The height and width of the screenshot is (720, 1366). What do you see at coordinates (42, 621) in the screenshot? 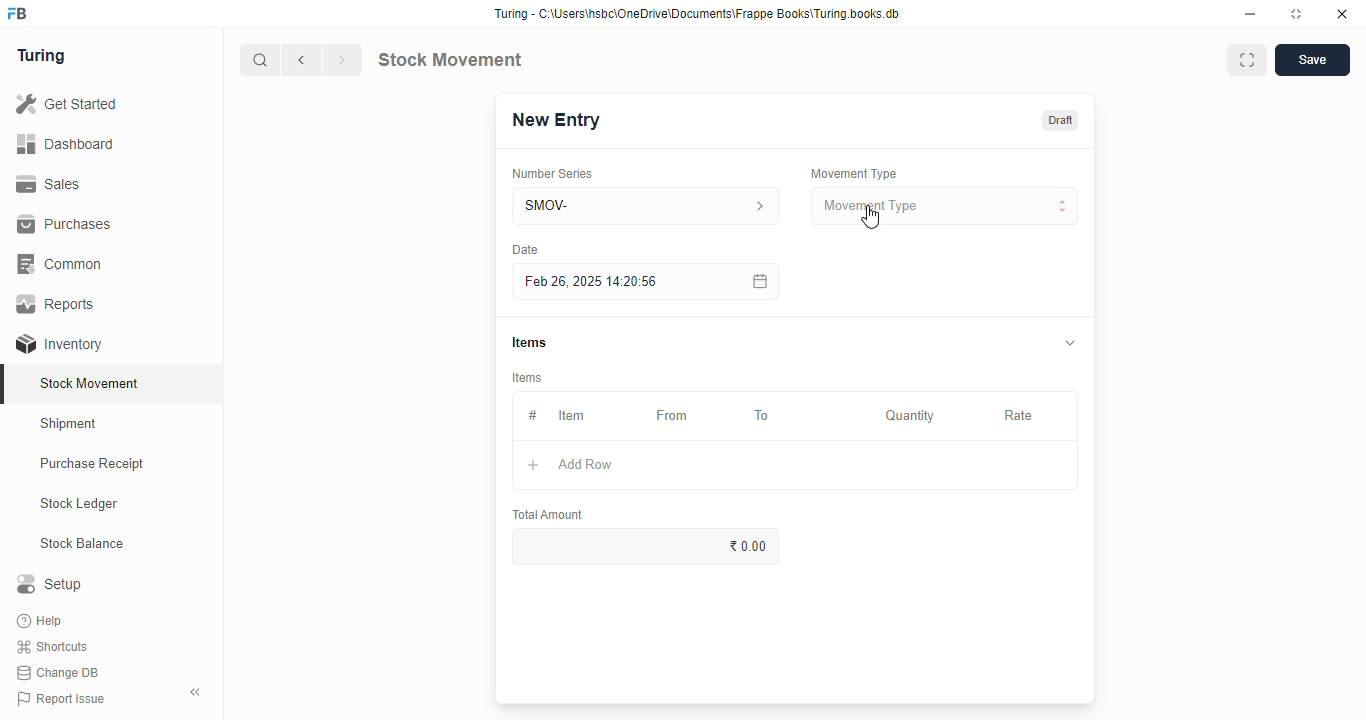
I see `help` at bounding box center [42, 621].